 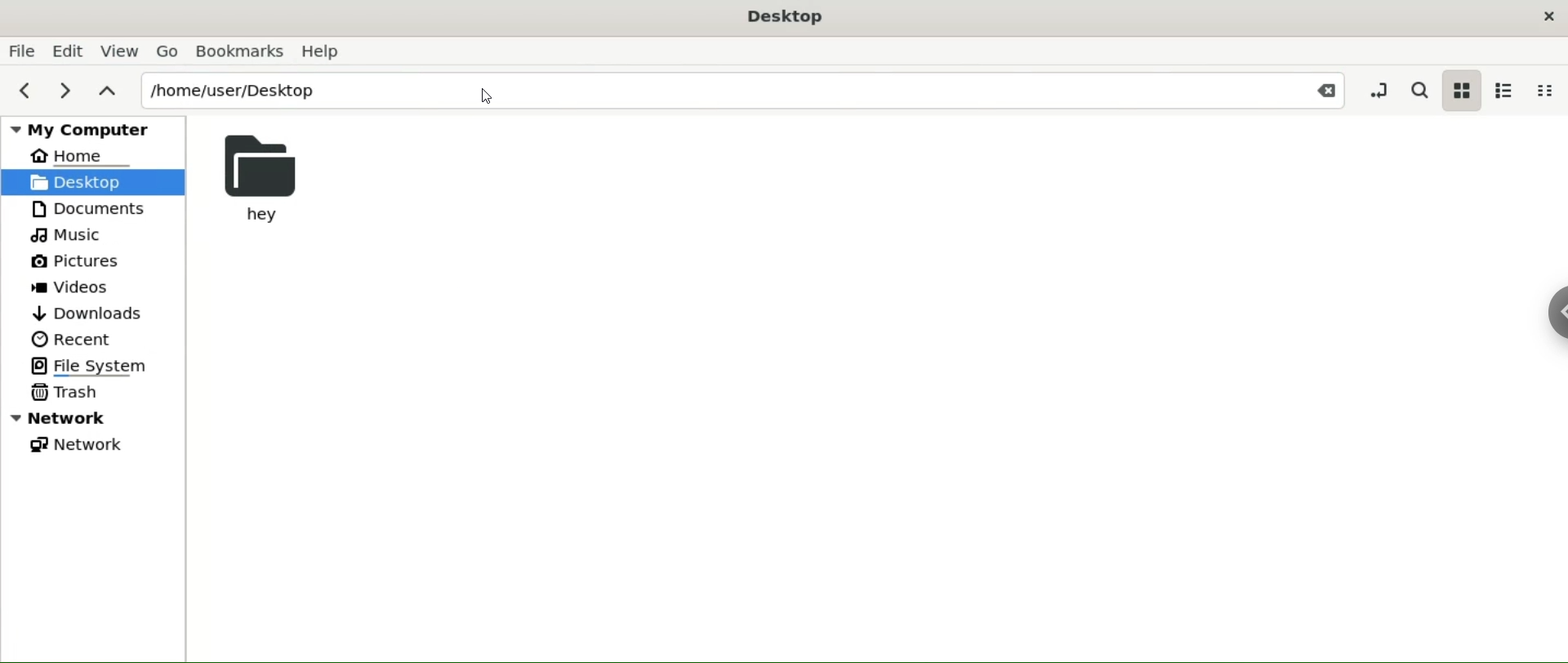 What do you see at coordinates (240, 51) in the screenshot?
I see `bookmarks` at bounding box center [240, 51].